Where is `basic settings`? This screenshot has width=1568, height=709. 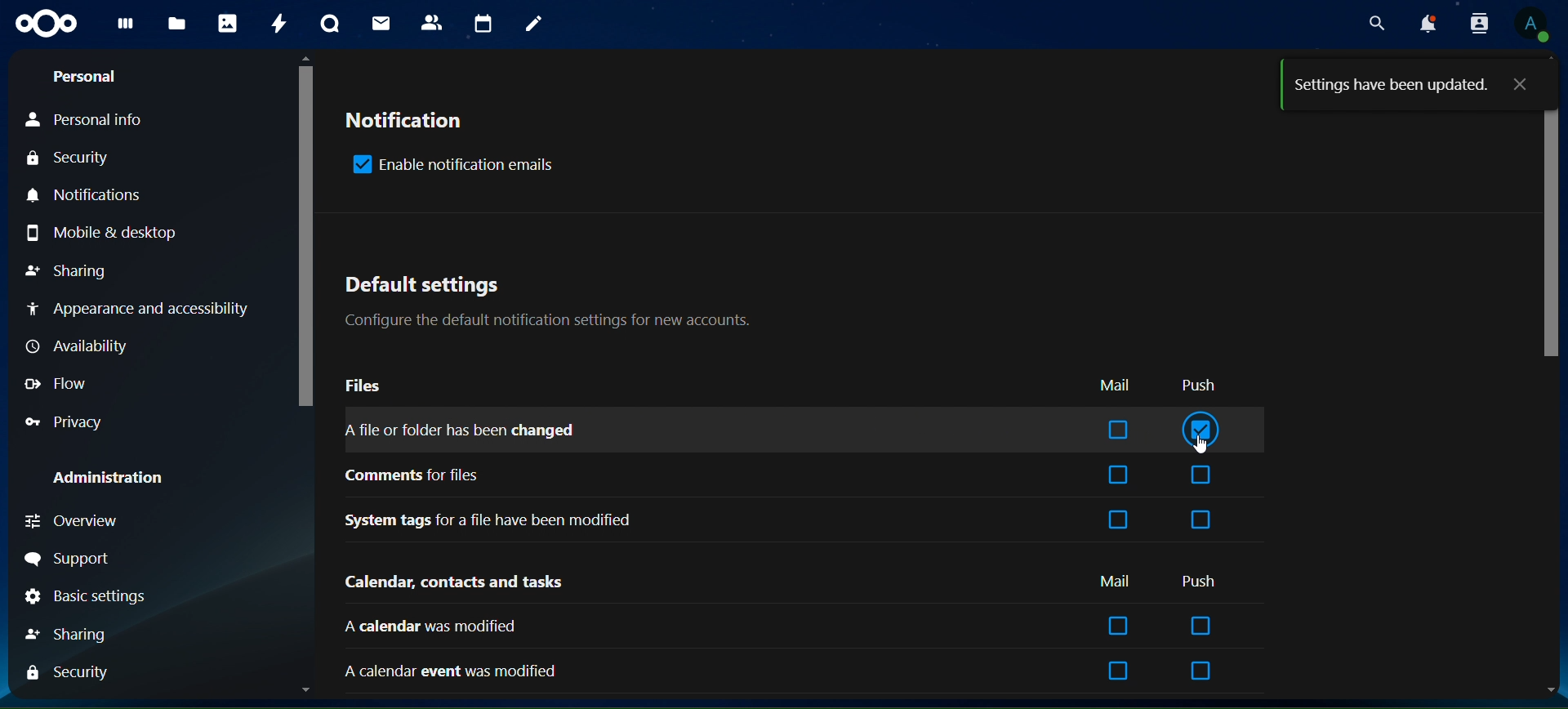
basic settings is located at coordinates (87, 596).